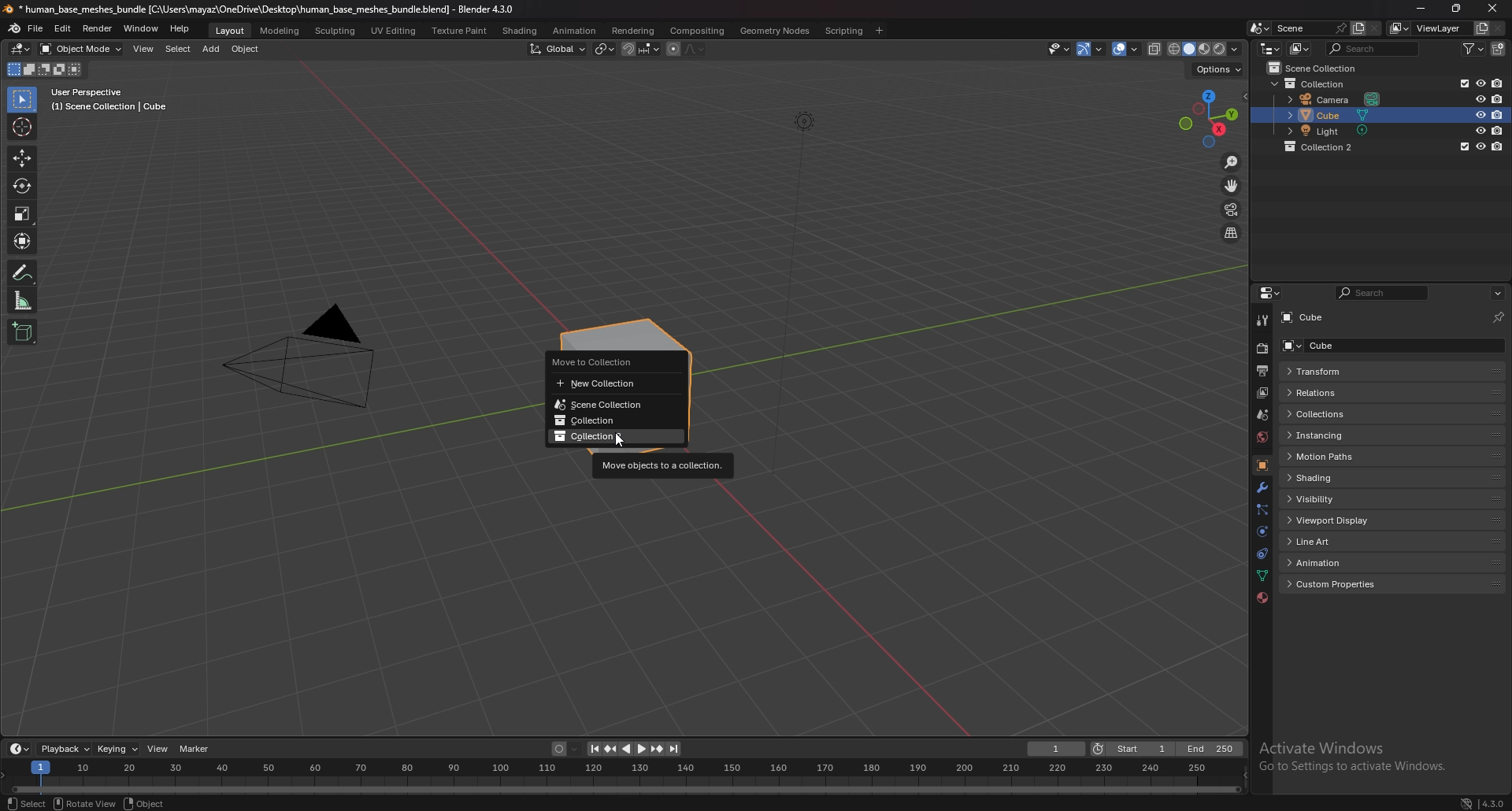 Image resolution: width=1512 pixels, height=811 pixels. What do you see at coordinates (1272, 293) in the screenshot?
I see `editor type` at bounding box center [1272, 293].